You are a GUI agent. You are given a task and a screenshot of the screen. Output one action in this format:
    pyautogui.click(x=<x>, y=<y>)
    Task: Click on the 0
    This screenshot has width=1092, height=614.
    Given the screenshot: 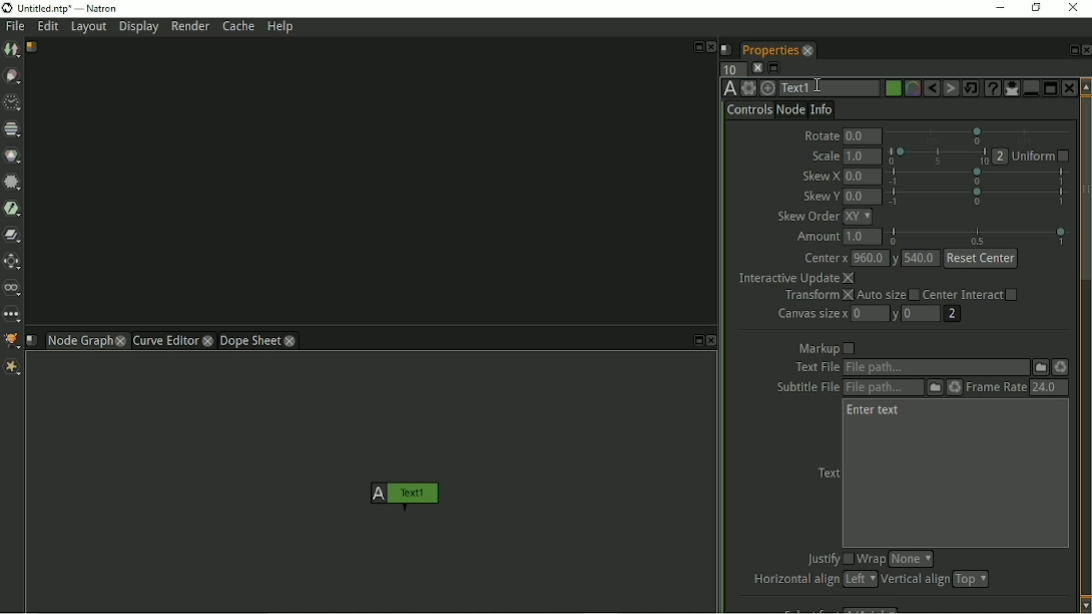 What is the action you would take?
    pyautogui.click(x=923, y=314)
    